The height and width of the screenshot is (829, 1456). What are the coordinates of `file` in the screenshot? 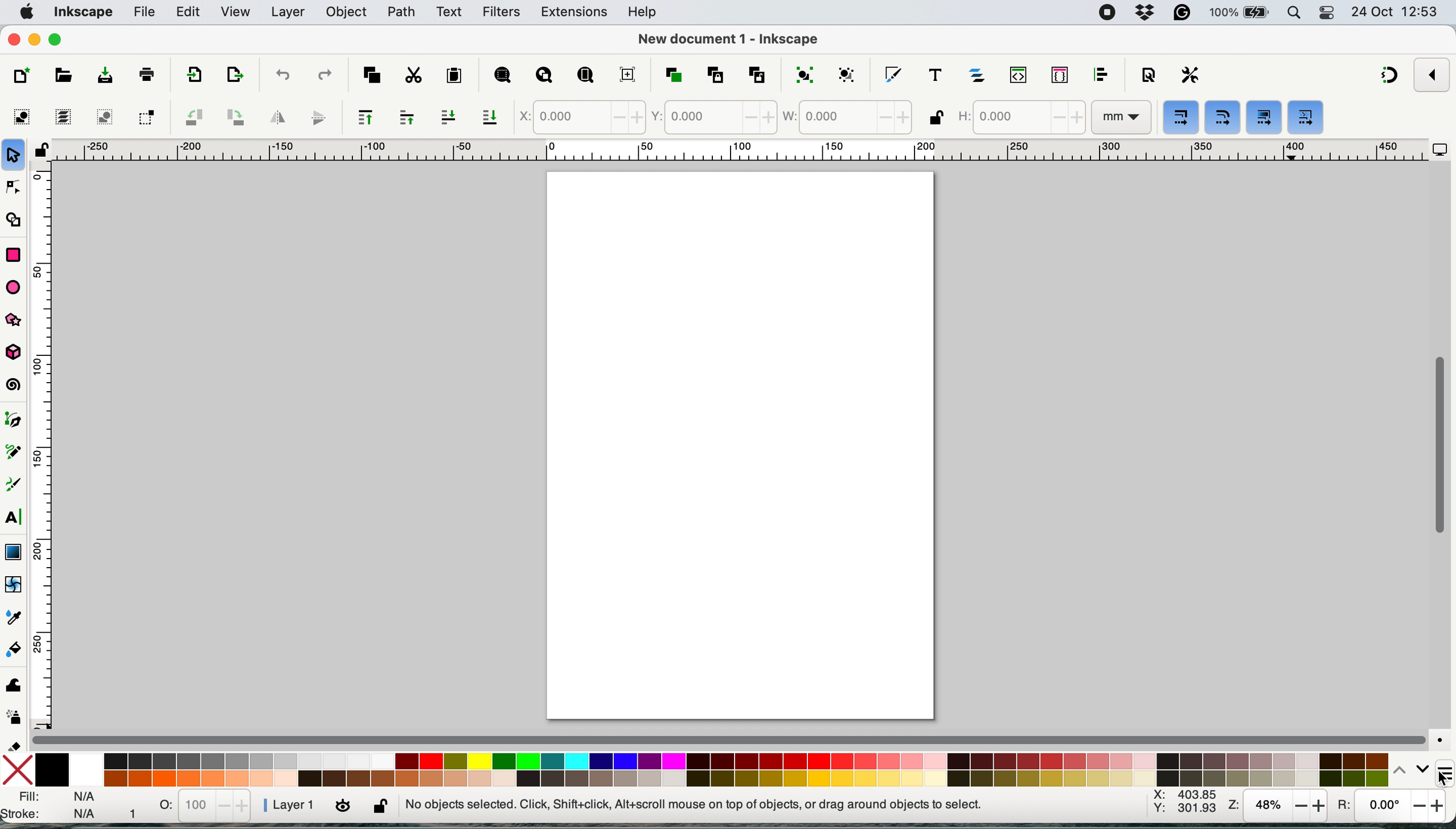 It's located at (145, 13).